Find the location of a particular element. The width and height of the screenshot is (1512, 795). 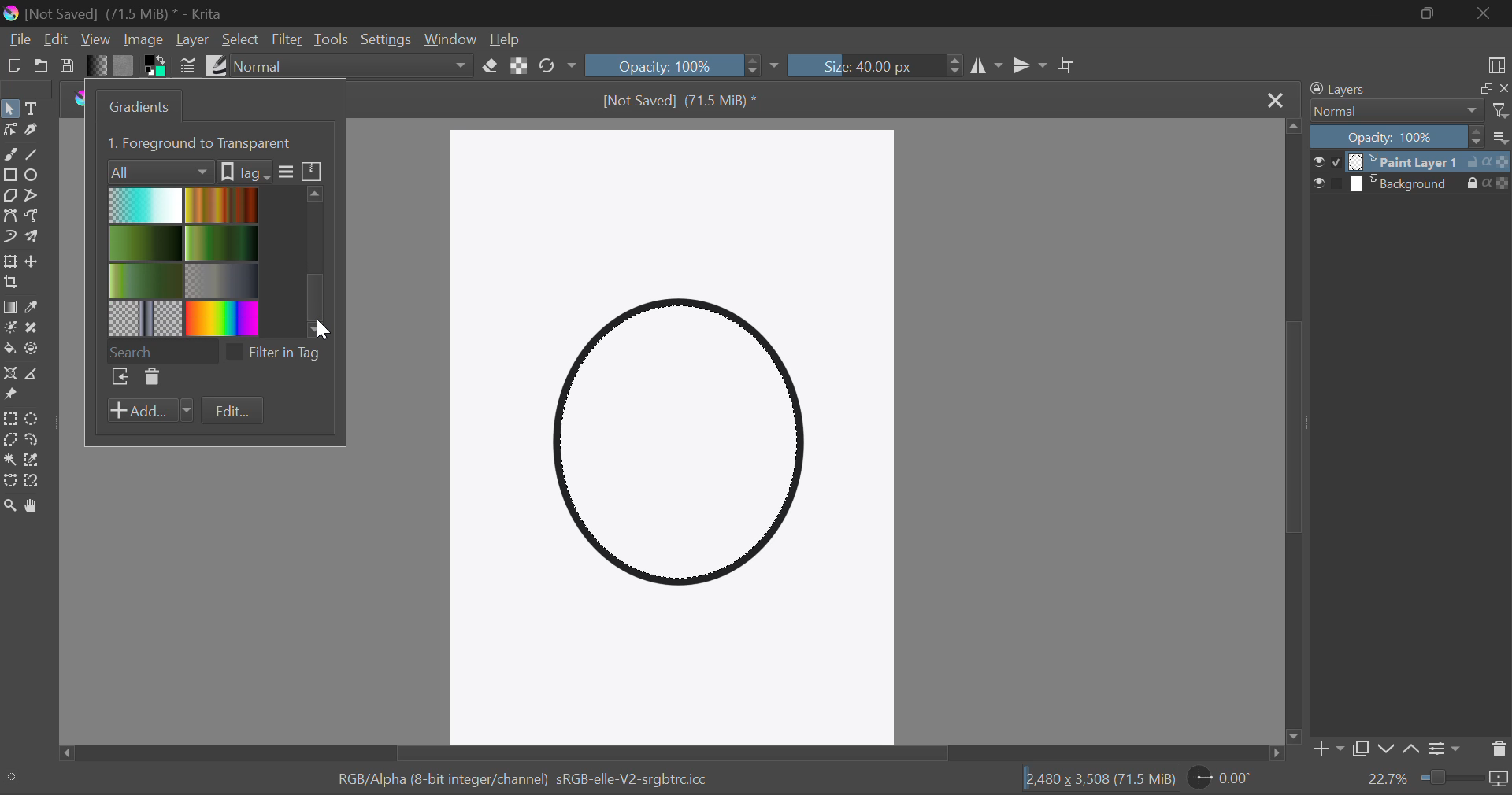

Lock Alpha is located at coordinates (521, 66).